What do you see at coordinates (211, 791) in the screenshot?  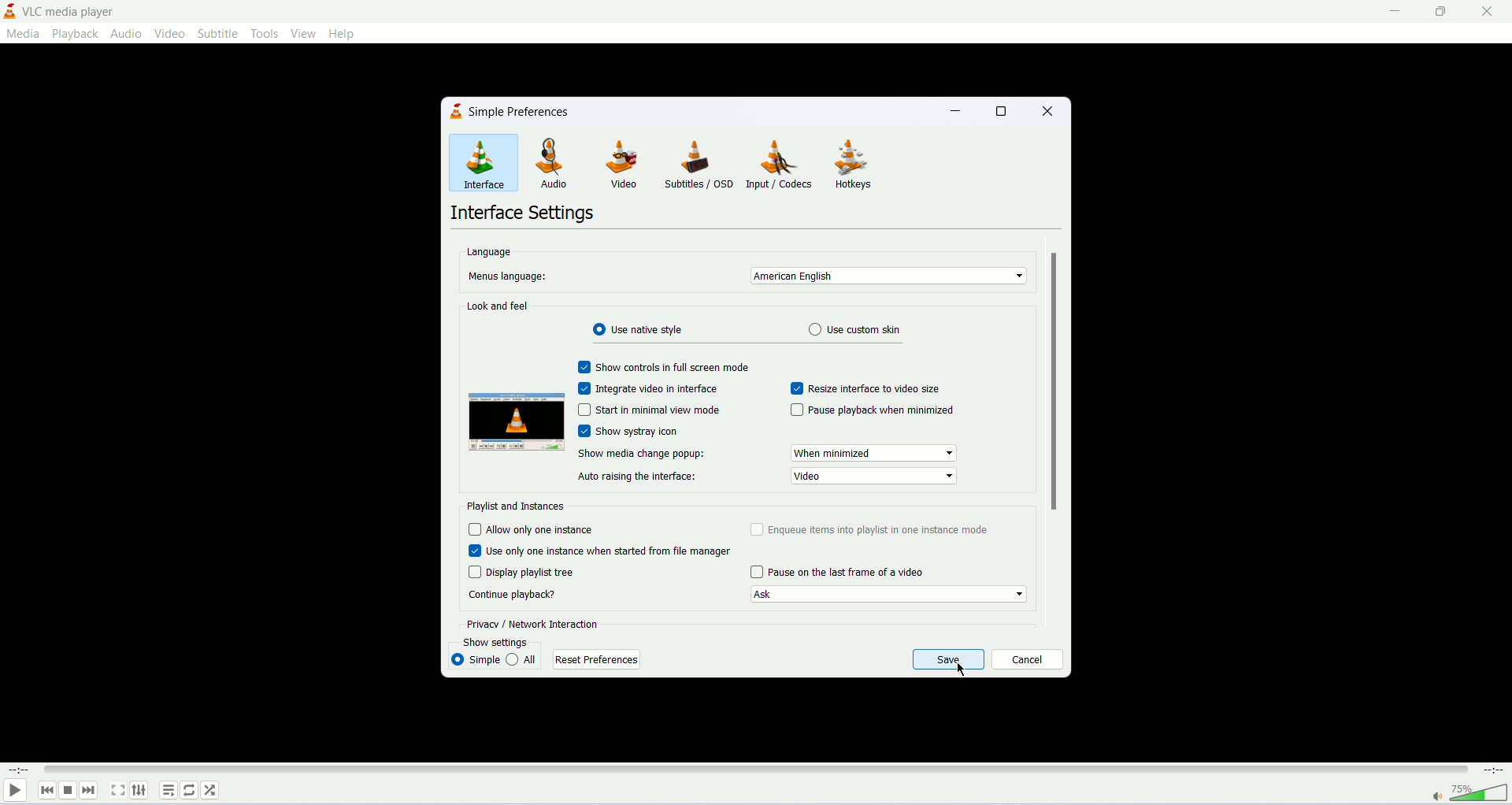 I see `random` at bounding box center [211, 791].